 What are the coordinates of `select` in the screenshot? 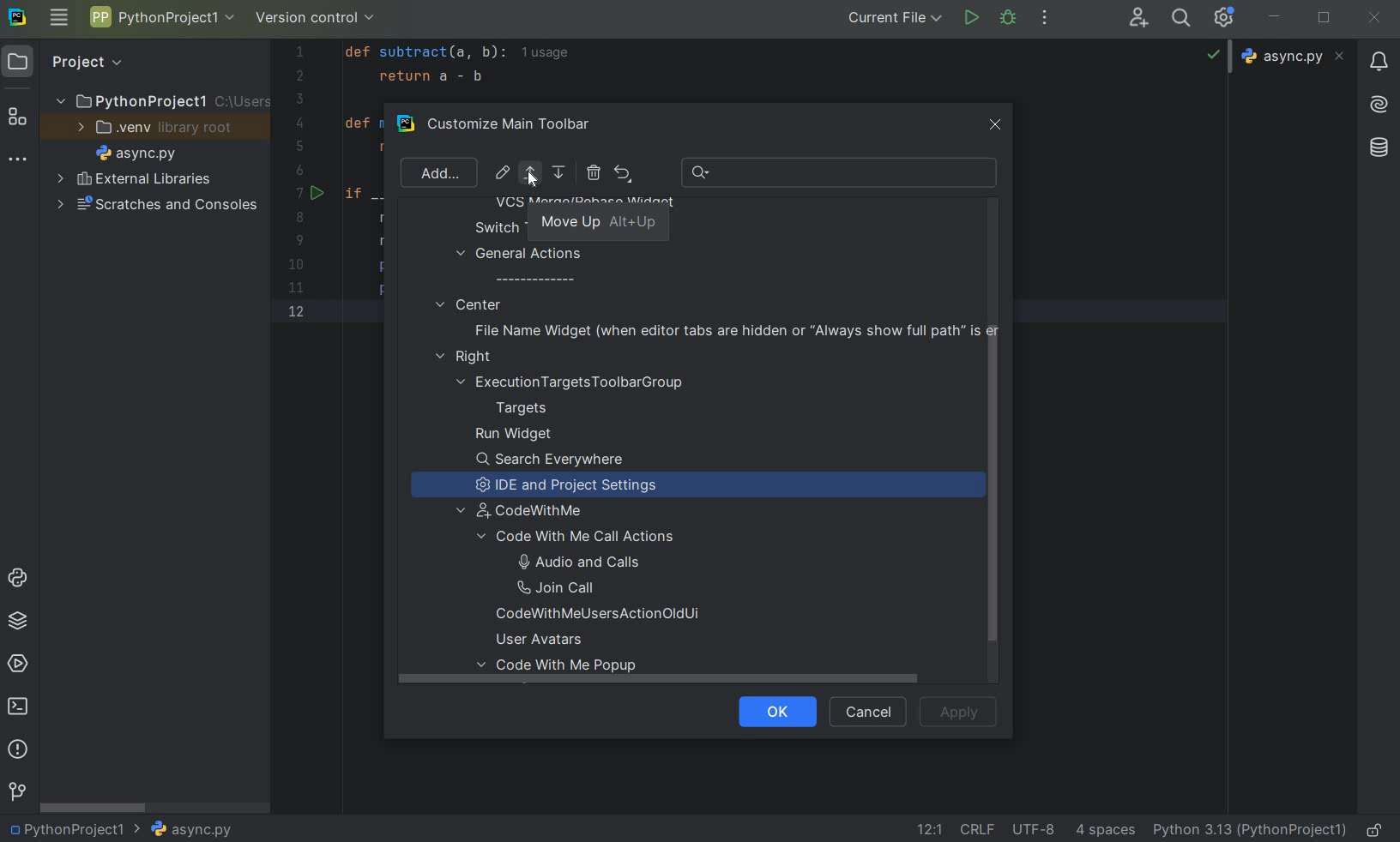 It's located at (532, 176).